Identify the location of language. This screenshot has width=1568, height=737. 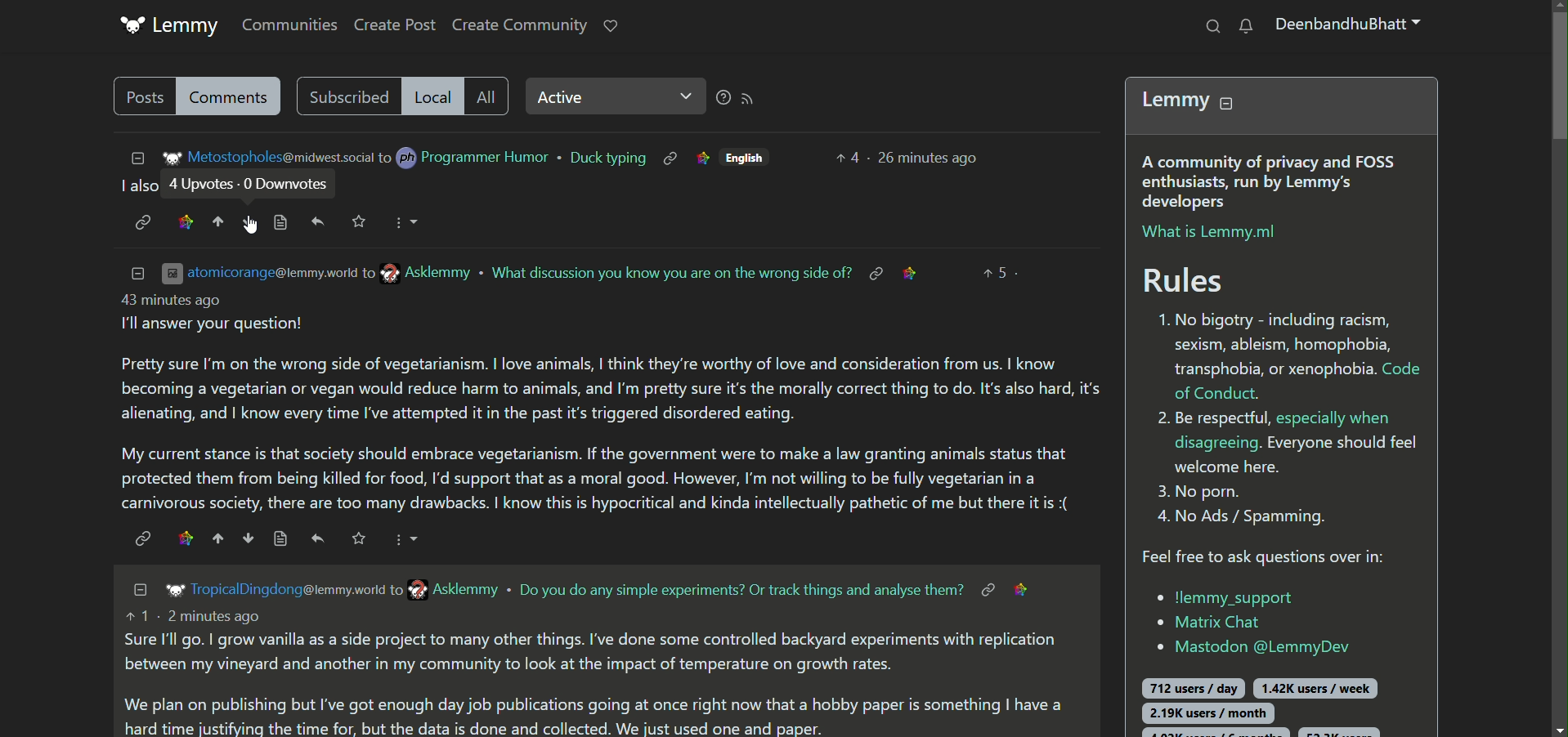
(750, 158).